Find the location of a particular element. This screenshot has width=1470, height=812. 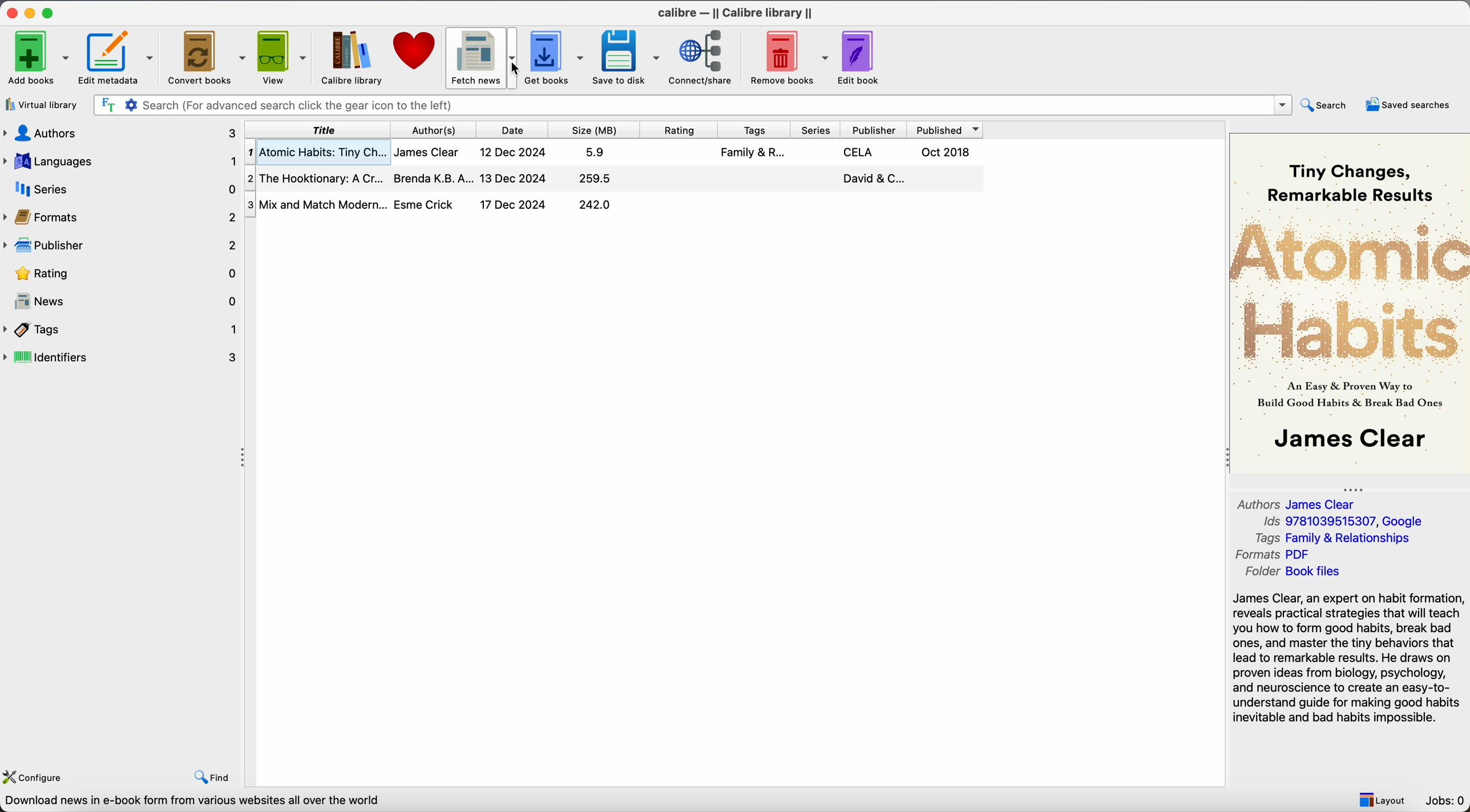

tags is located at coordinates (122, 330).